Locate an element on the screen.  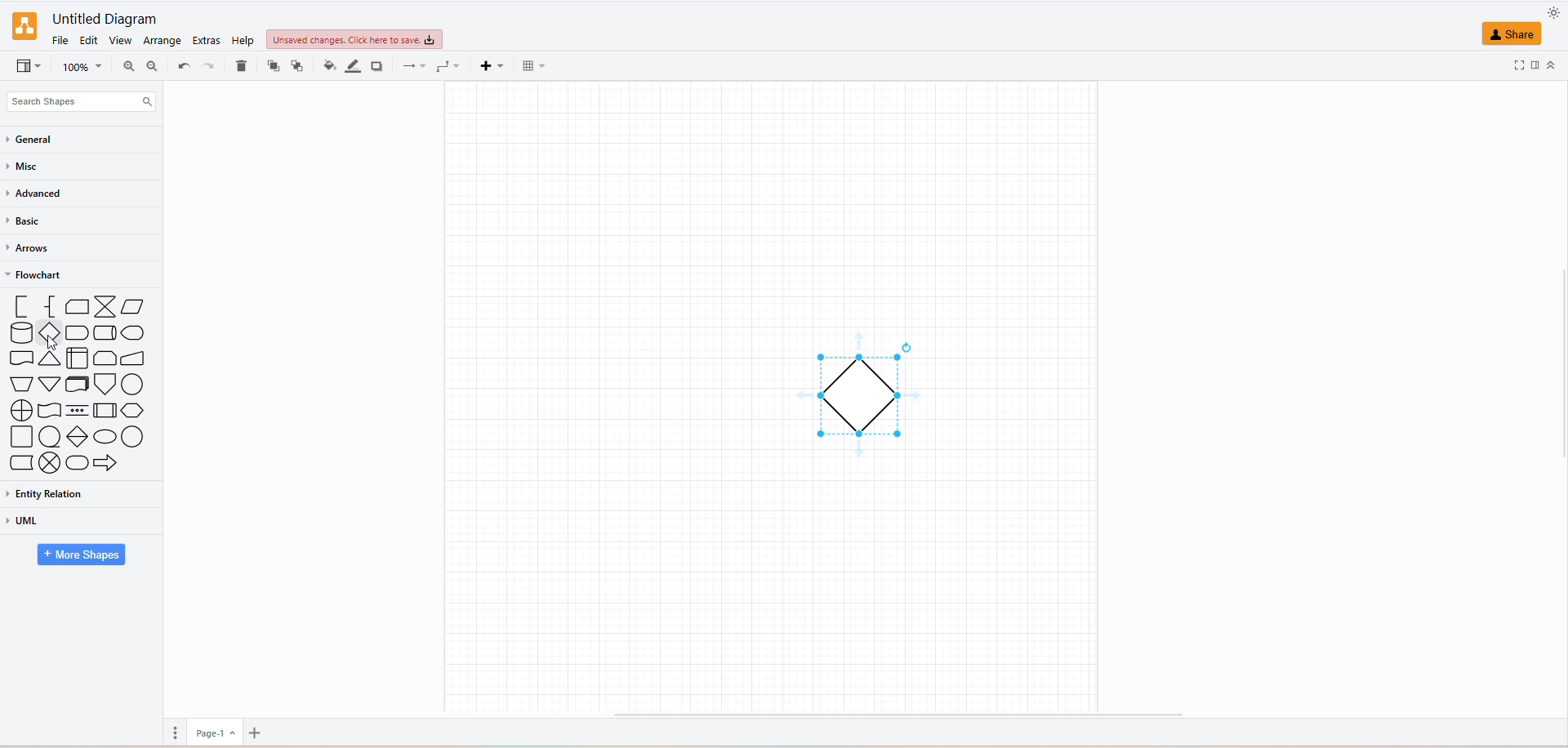
ARROWS is located at coordinates (33, 249).